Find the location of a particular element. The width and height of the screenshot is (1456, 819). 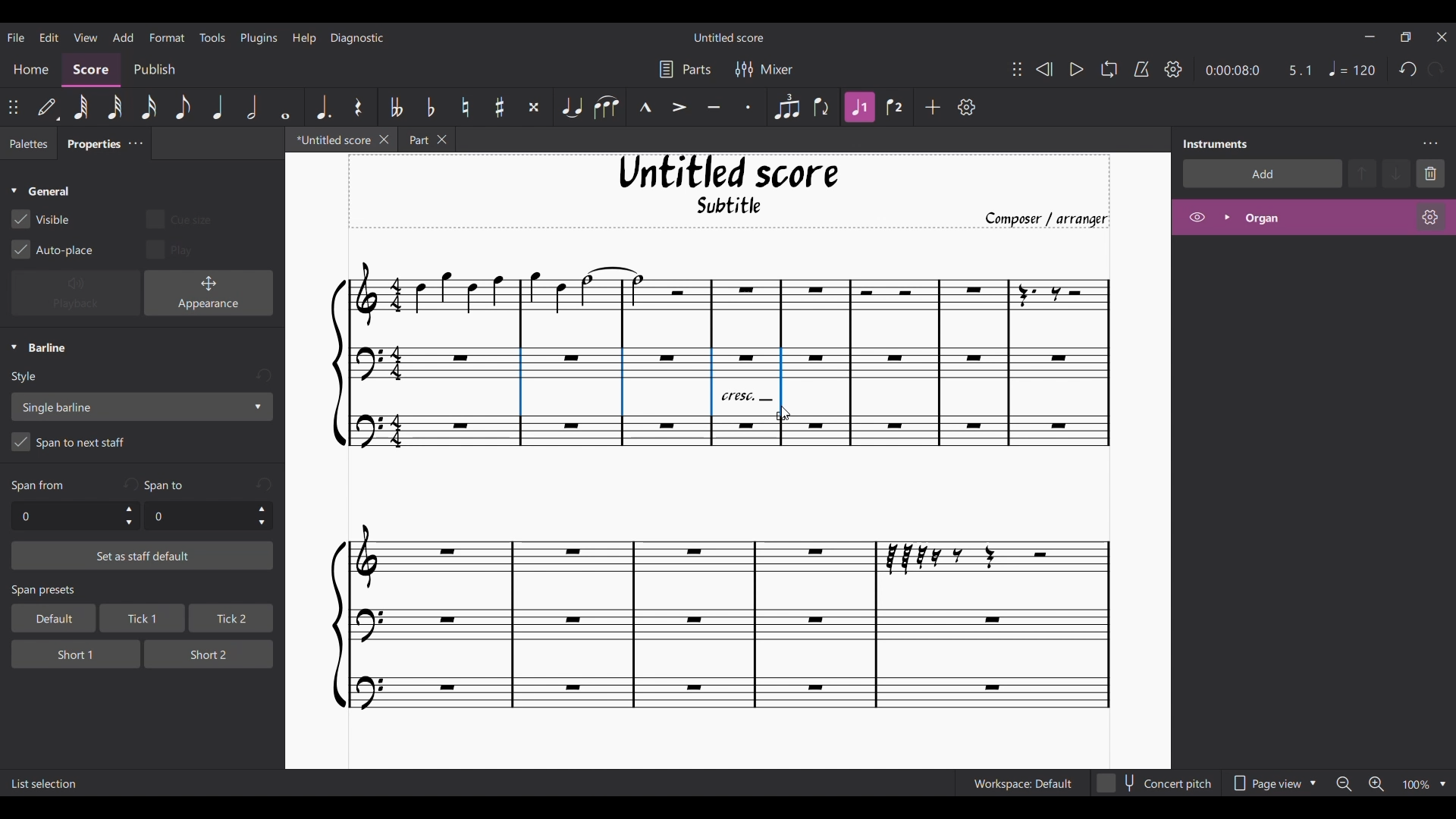

Organ is located at coordinates (1324, 218).